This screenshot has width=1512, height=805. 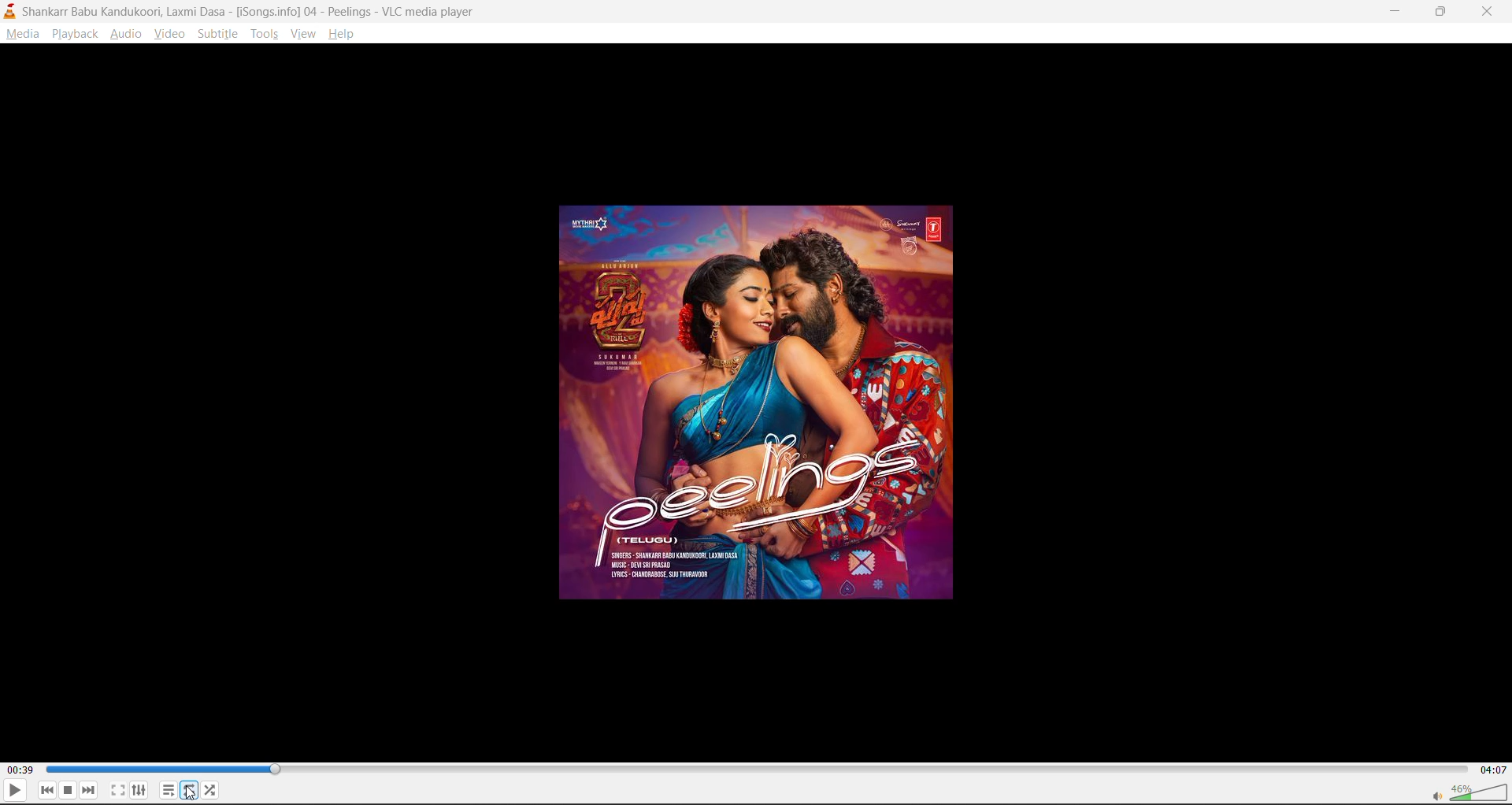 What do you see at coordinates (750, 768) in the screenshot?
I see `track slider` at bounding box center [750, 768].